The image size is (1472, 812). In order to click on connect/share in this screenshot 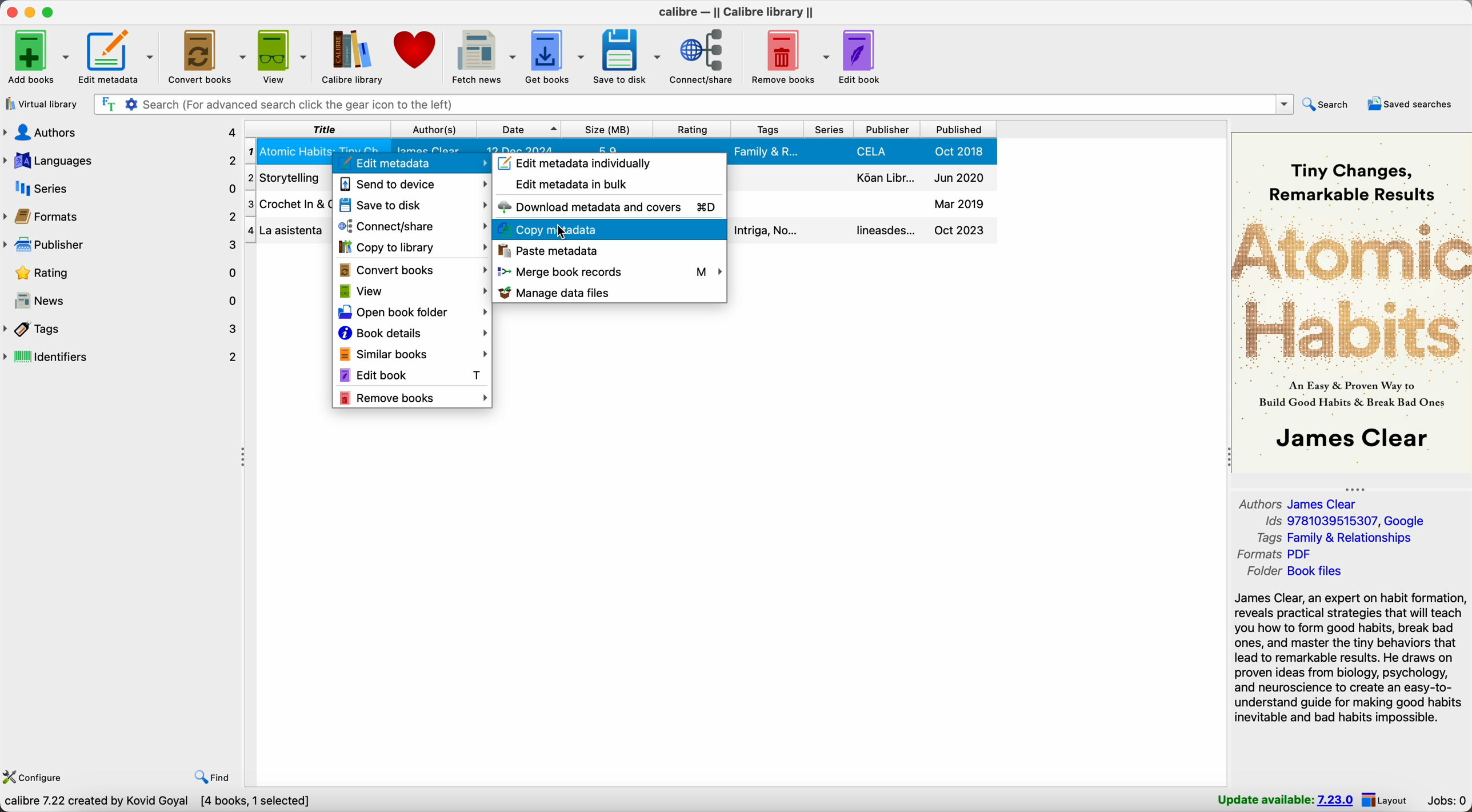, I will do `click(703, 58)`.